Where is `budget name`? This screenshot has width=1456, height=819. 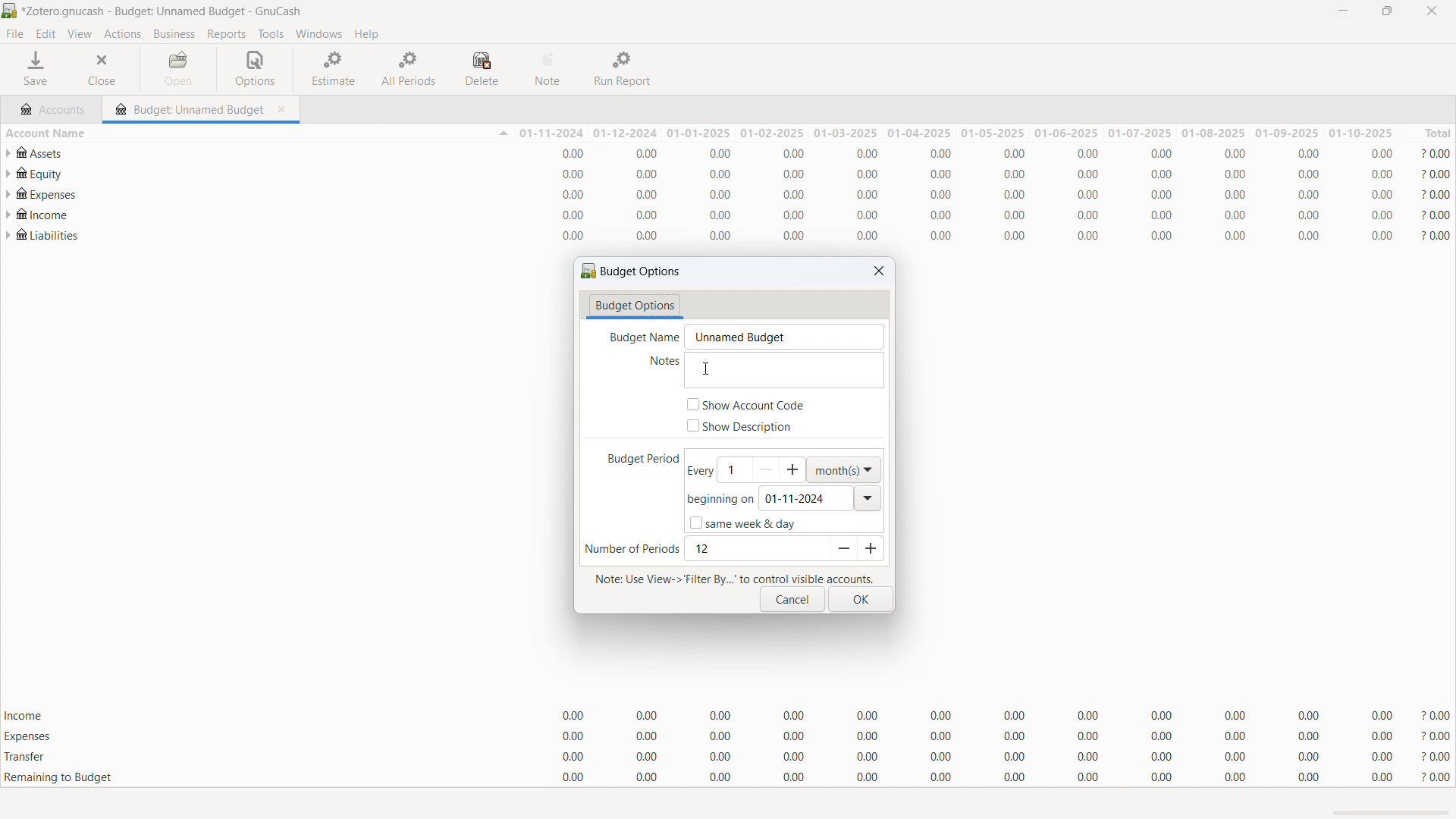 budget name is located at coordinates (783, 337).